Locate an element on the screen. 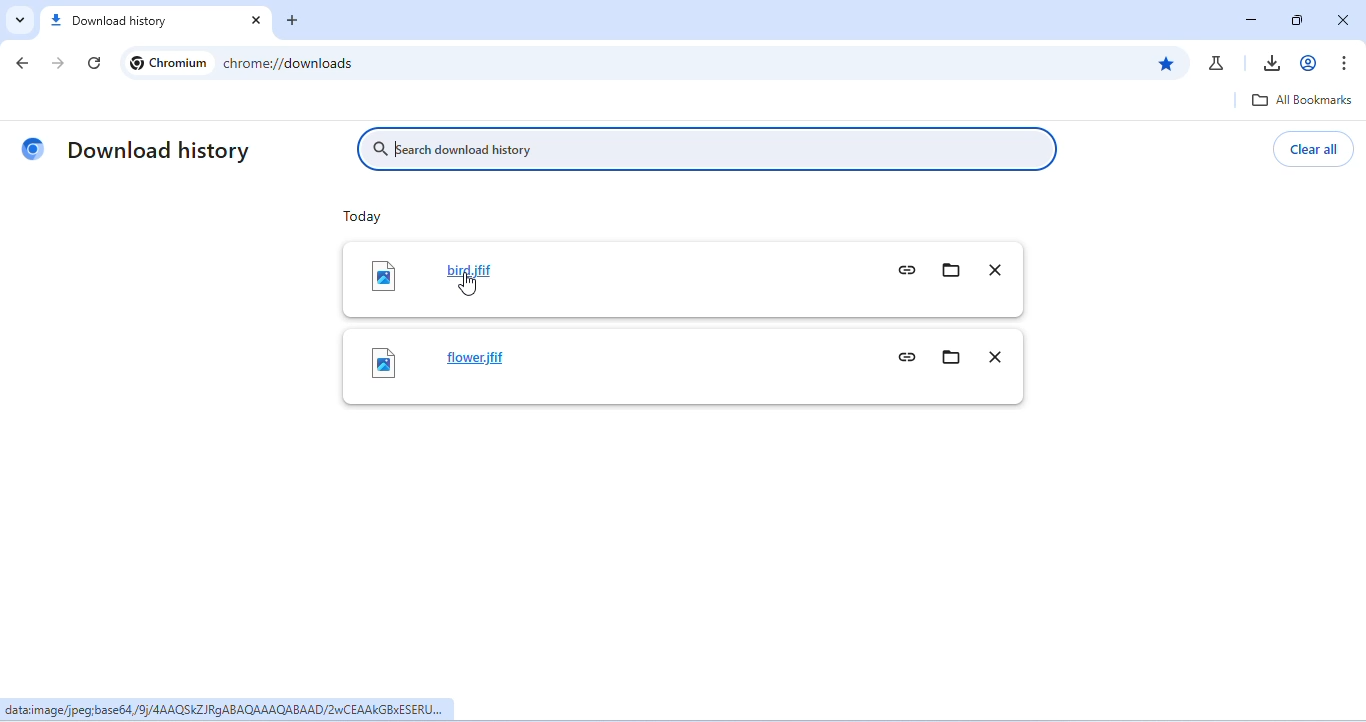  chrome labs is located at coordinates (1218, 63).